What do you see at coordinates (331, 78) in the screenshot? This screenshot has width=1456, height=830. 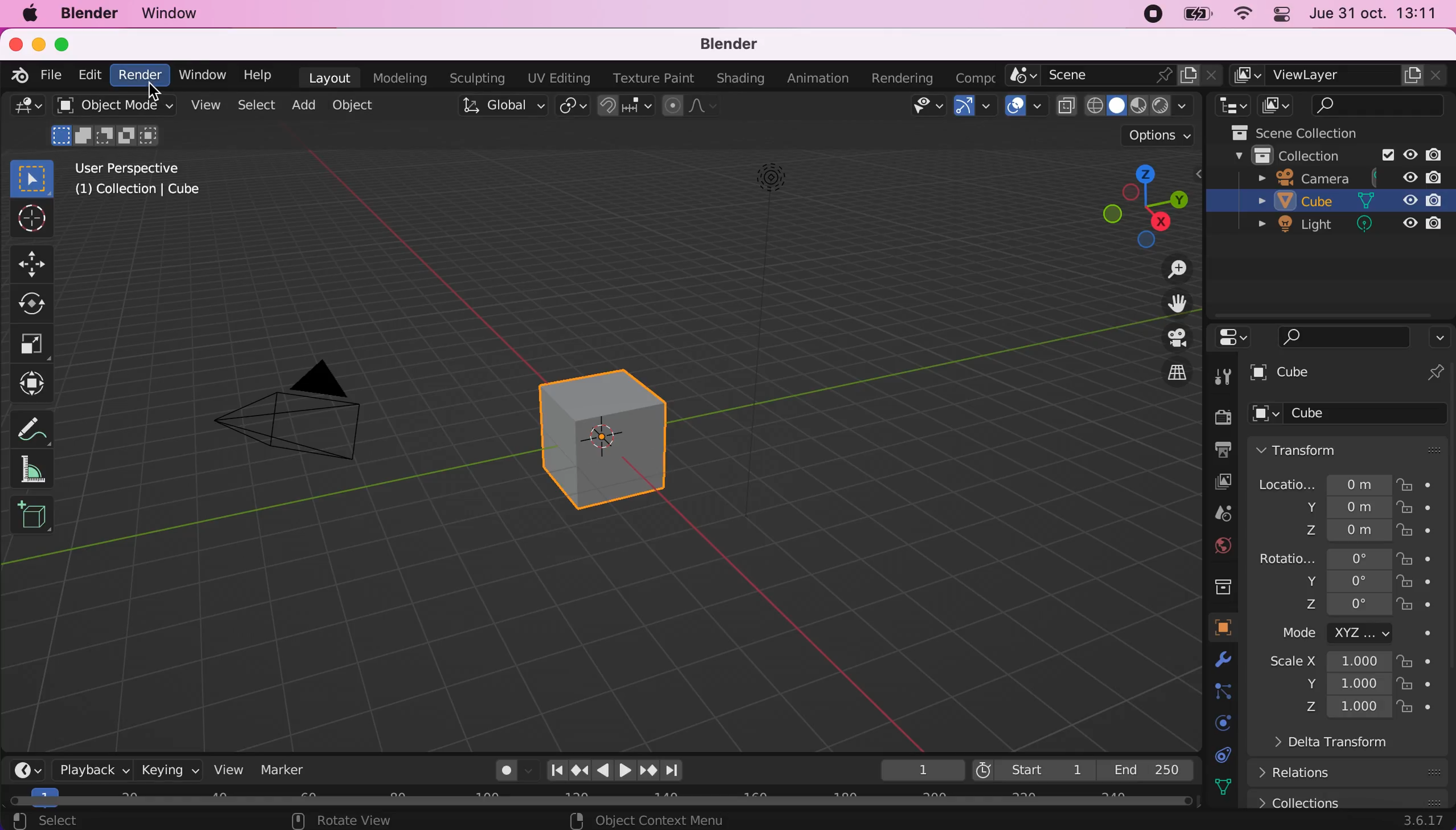 I see `layout` at bounding box center [331, 78].